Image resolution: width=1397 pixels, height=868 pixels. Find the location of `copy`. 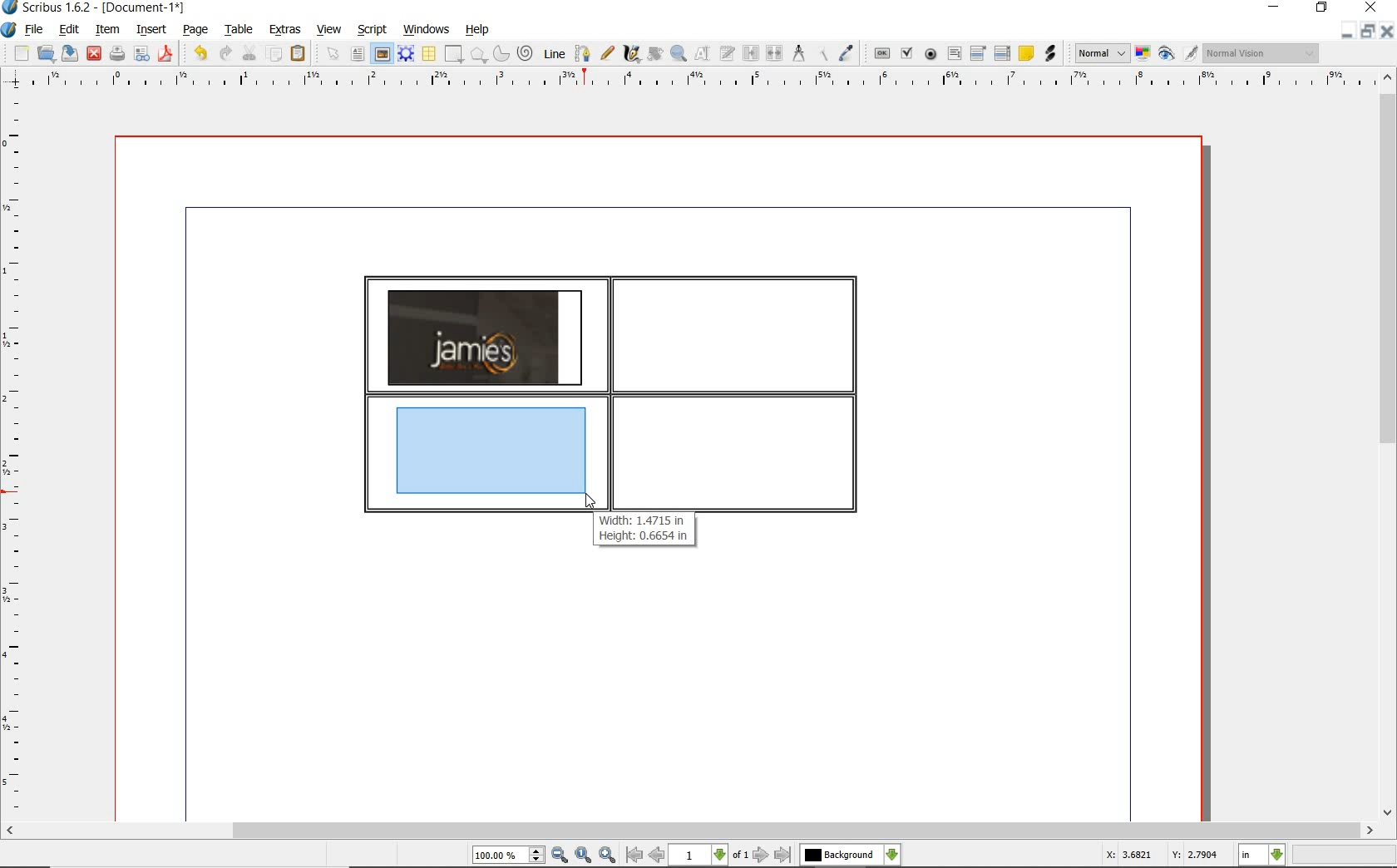

copy is located at coordinates (275, 55).